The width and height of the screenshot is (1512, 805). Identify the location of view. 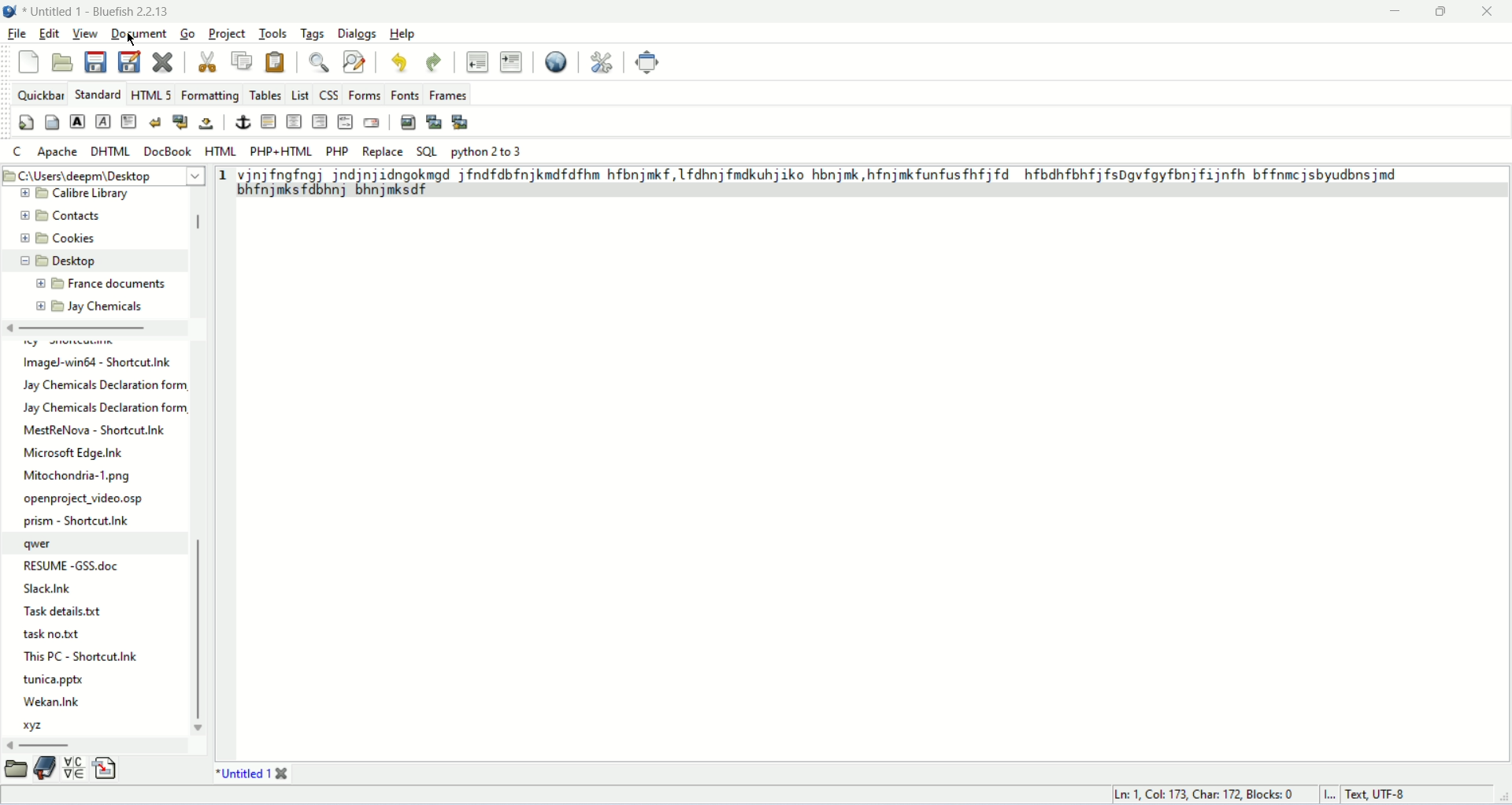
(86, 32).